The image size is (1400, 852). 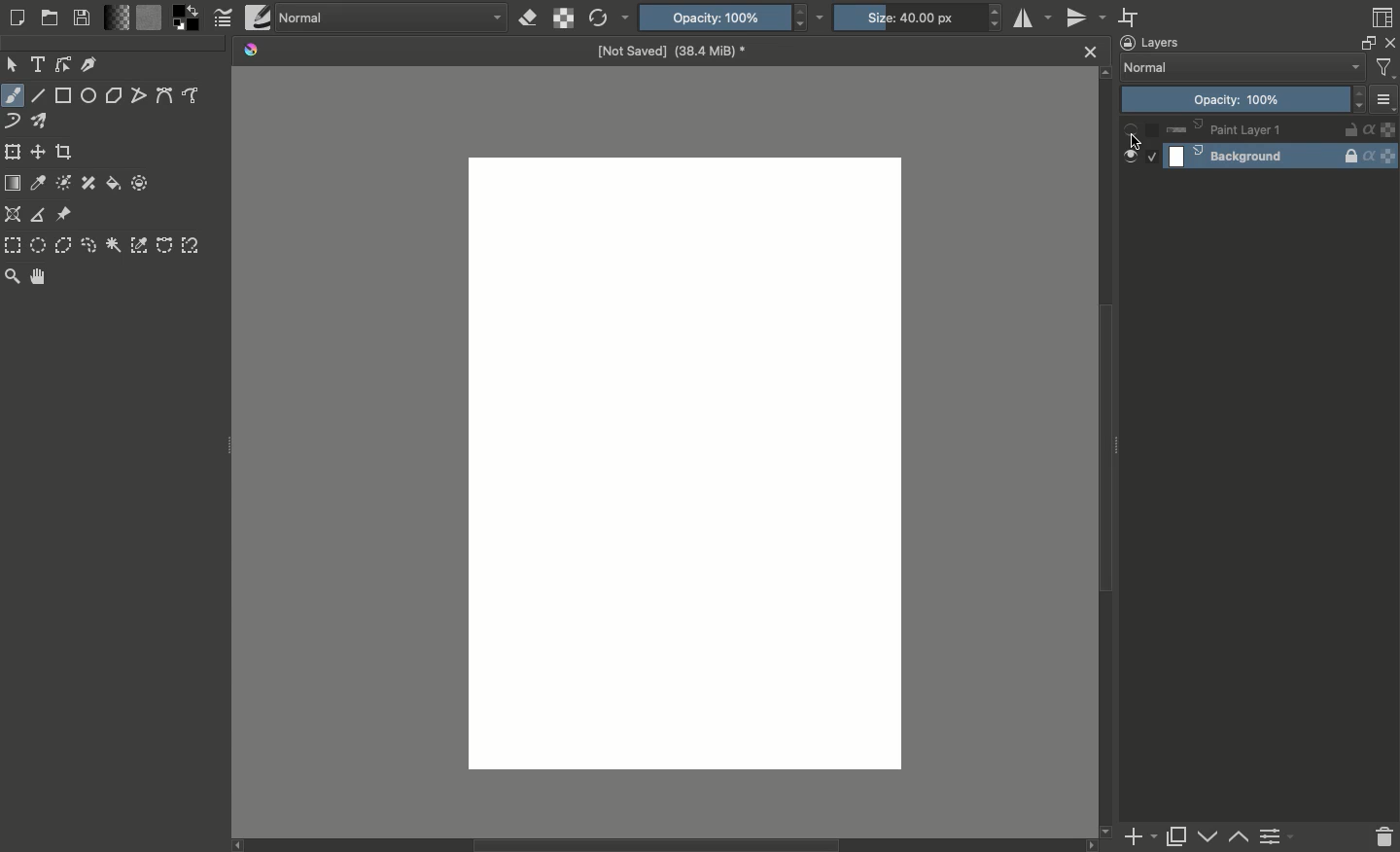 What do you see at coordinates (1383, 837) in the screenshot?
I see `Delete` at bounding box center [1383, 837].